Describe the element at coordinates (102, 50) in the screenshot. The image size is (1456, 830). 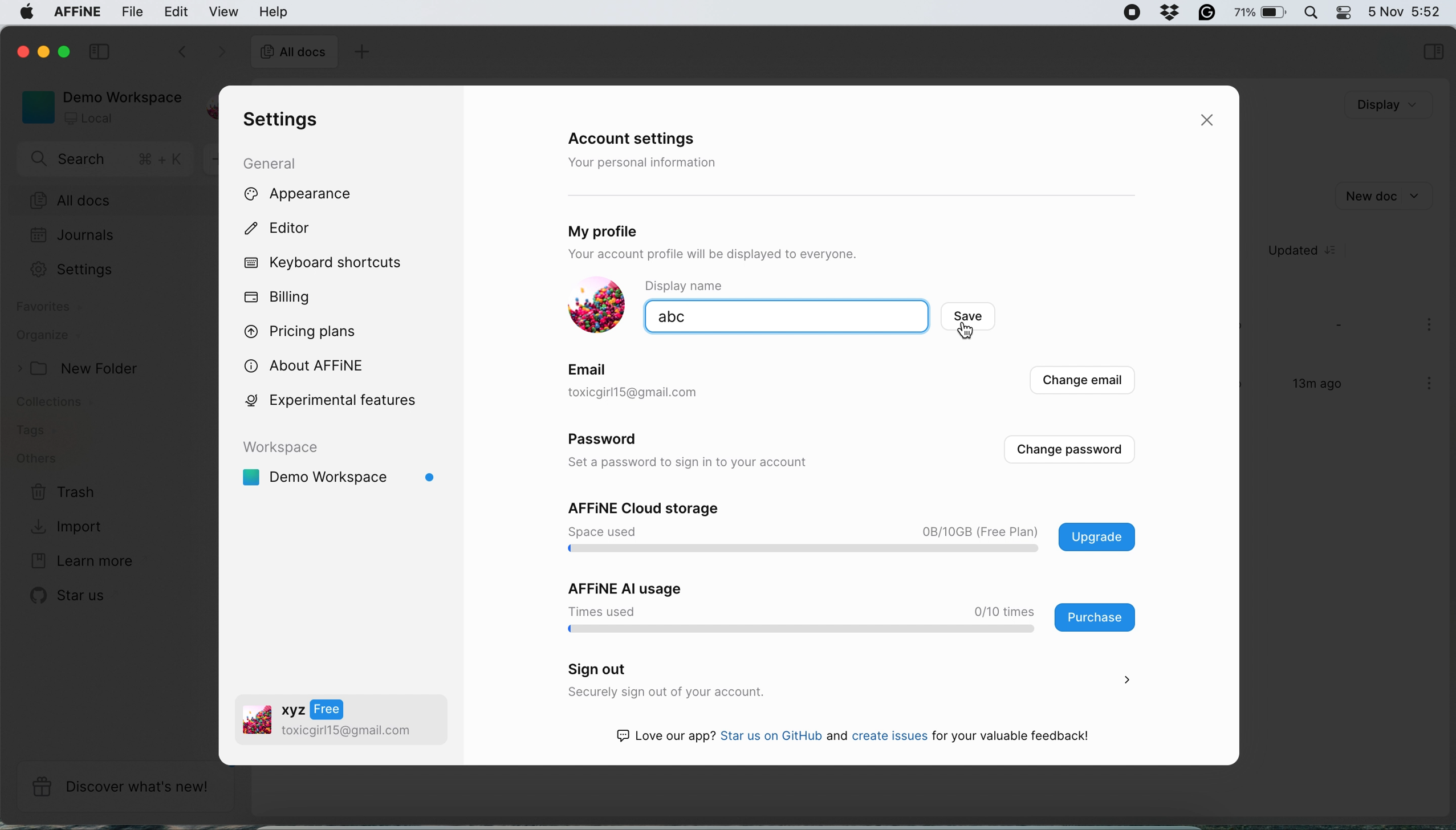
I see `collapse sidebar` at that location.